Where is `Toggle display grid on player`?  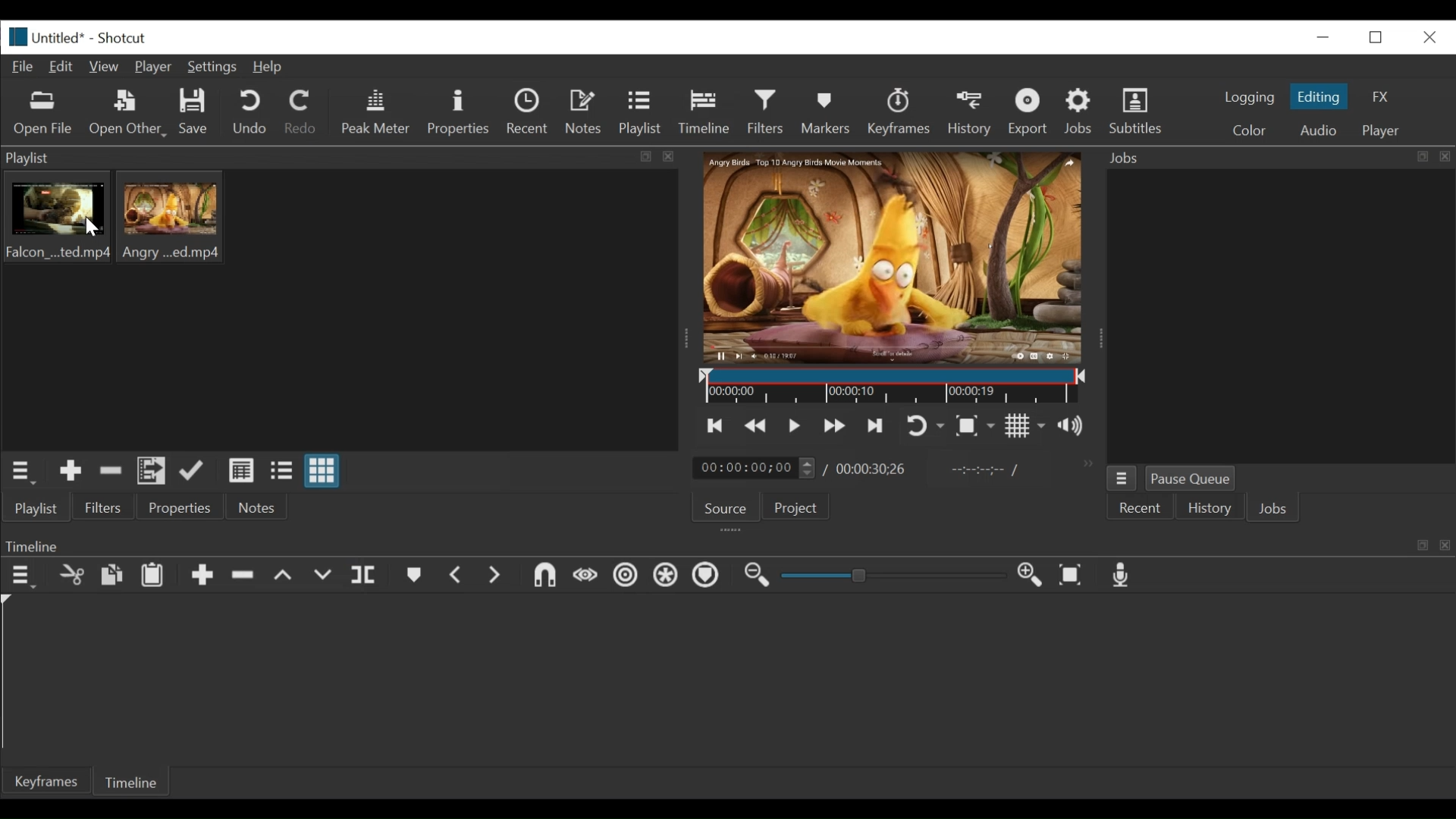
Toggle display grid on player is located at coordinates (1025, 425).